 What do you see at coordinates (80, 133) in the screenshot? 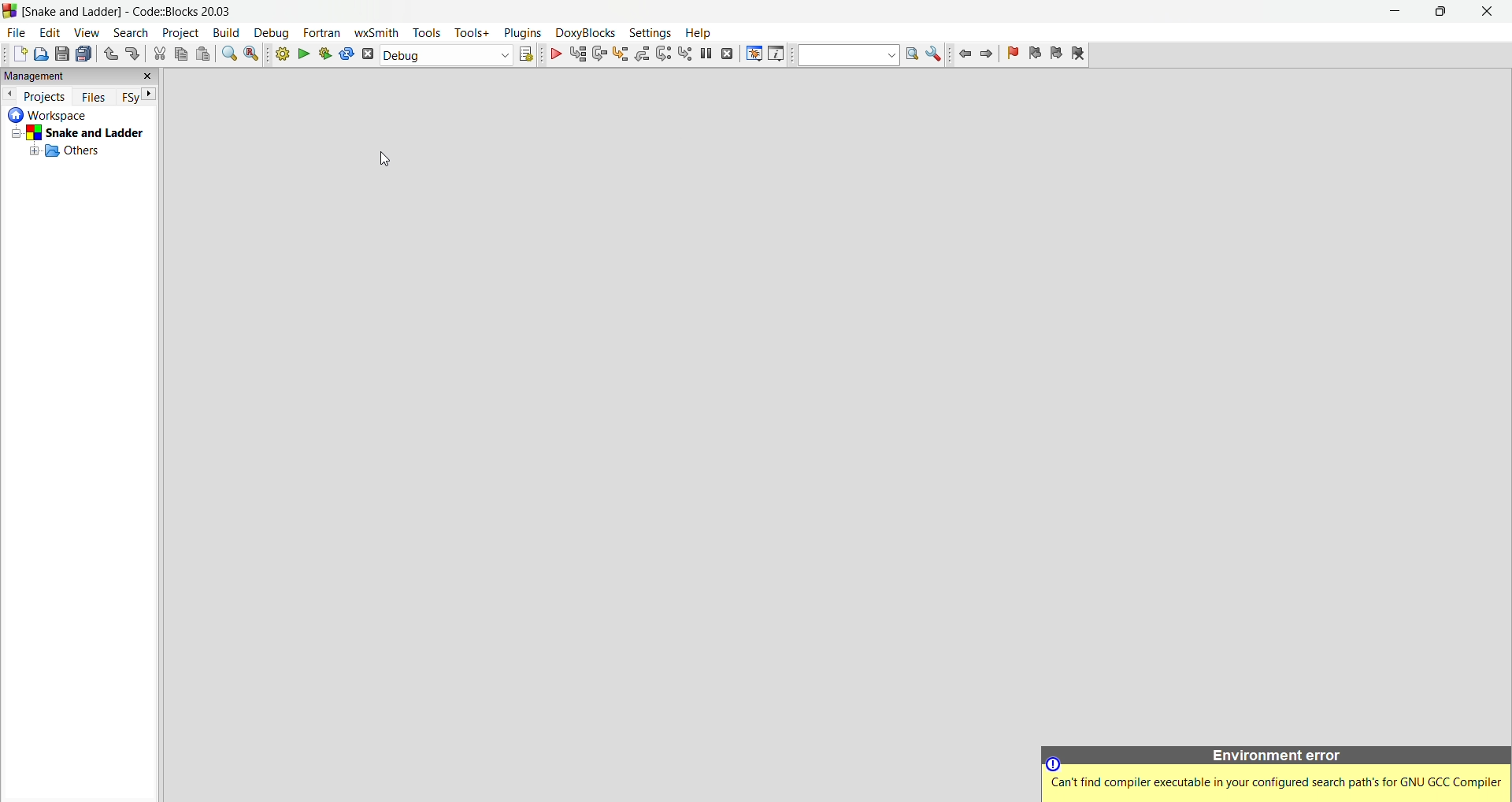
I see `Snake and Ladder empty project` at bounding box center [80, 133].